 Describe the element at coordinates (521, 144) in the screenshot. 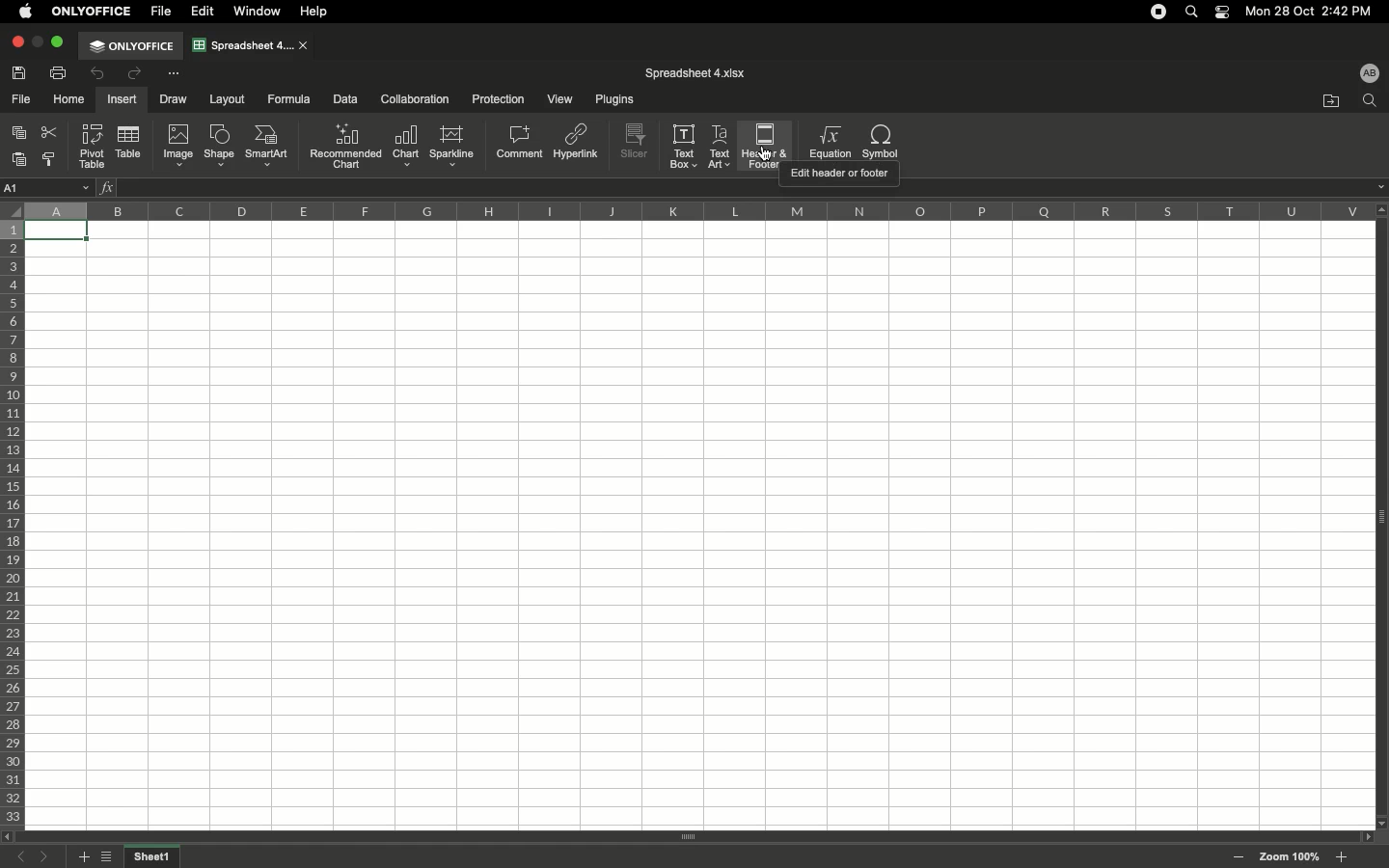

I see `Comment` at that location.